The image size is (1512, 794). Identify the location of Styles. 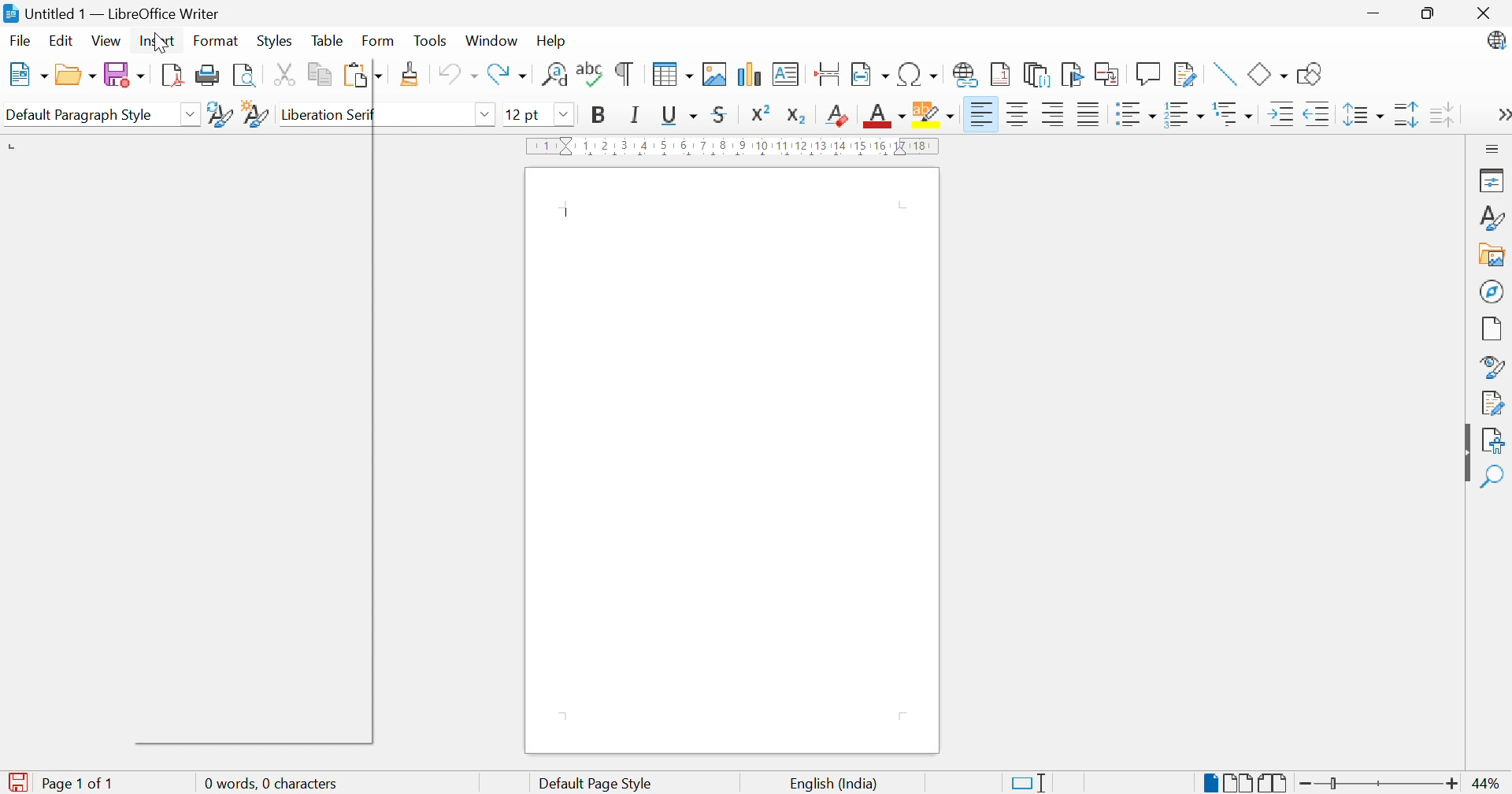
(274, 42).